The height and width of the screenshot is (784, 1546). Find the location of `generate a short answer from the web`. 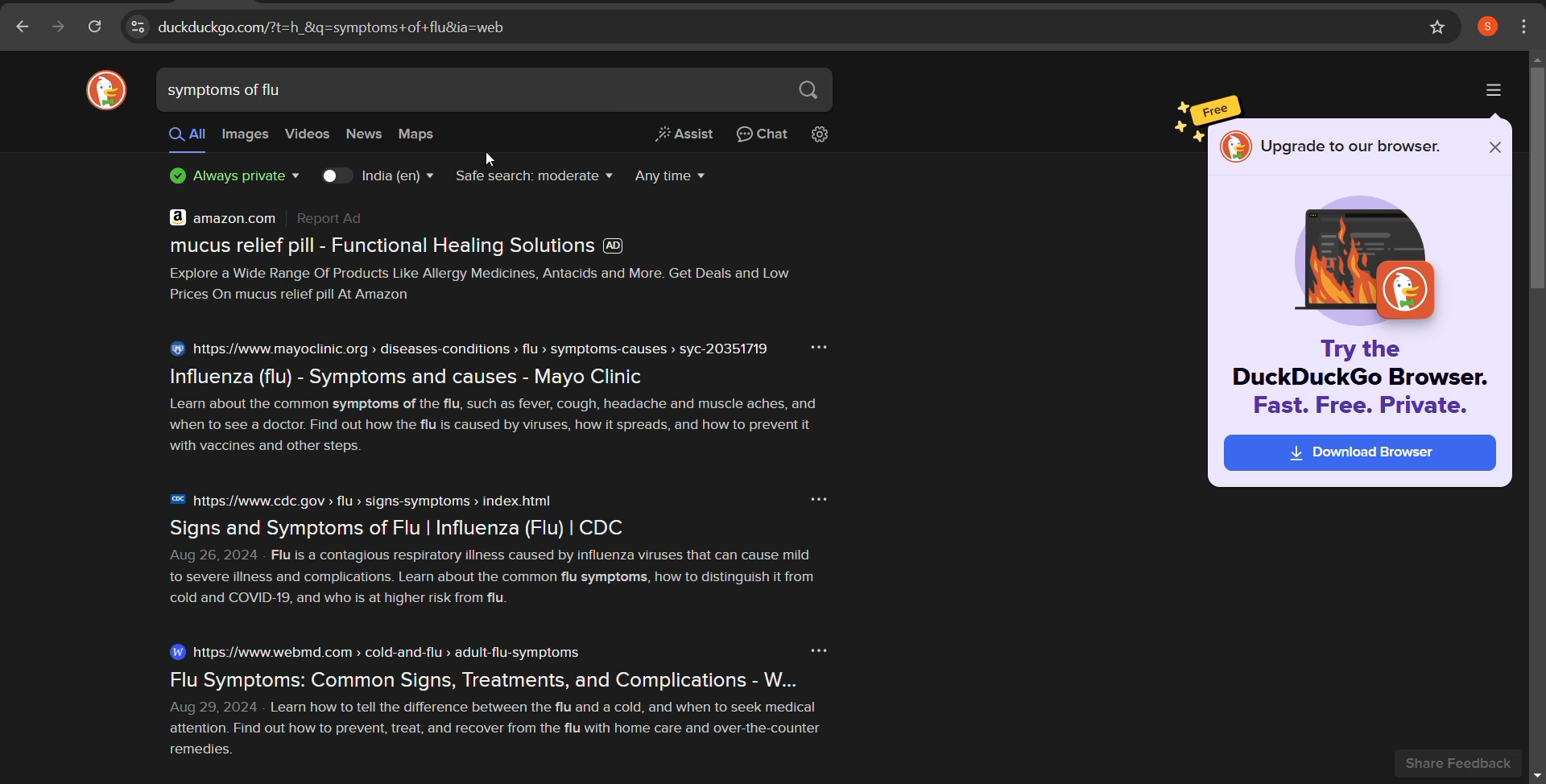

generate a short answer from the web is located at coordinates (686, 136).